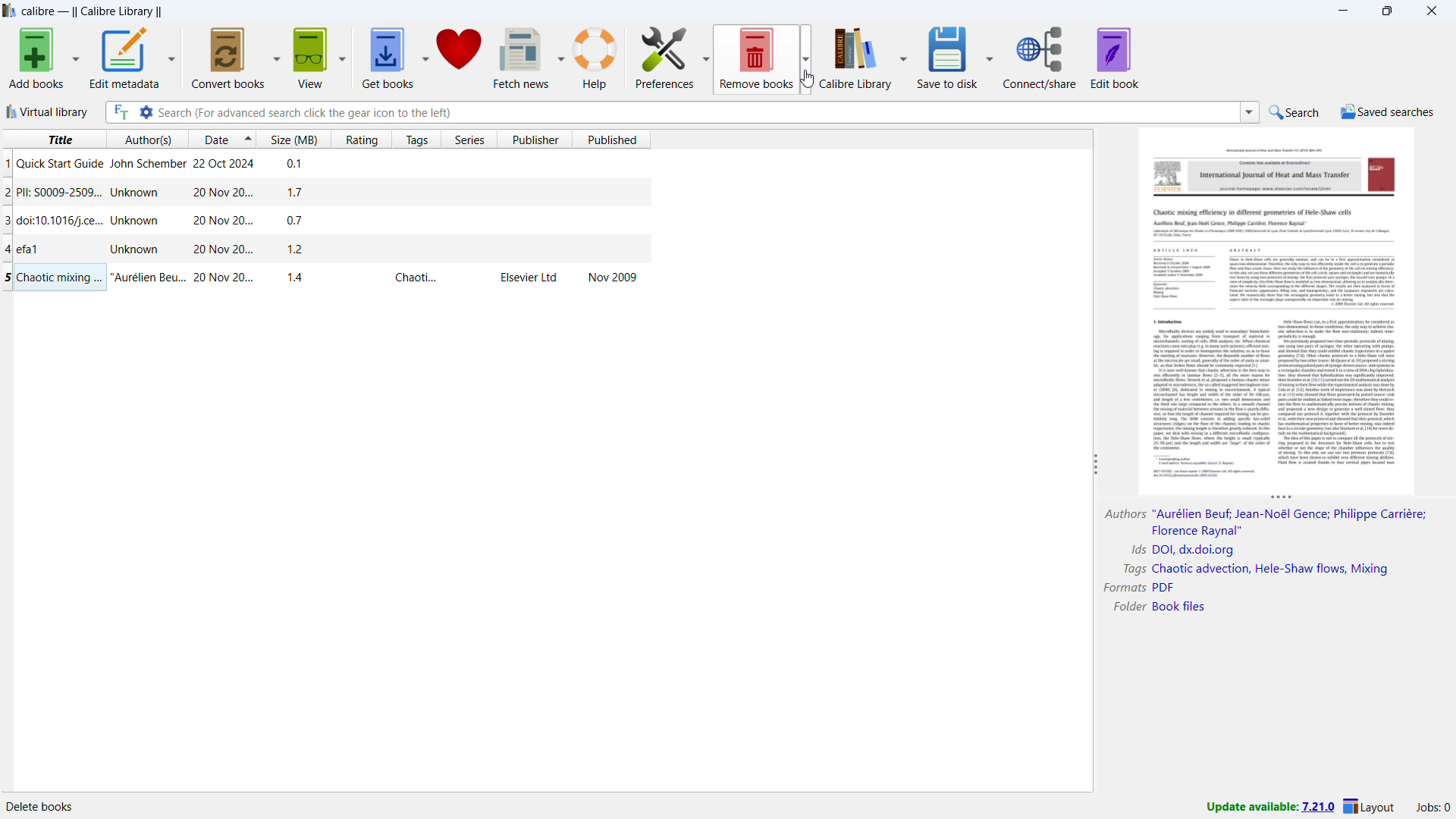 Image resolution: width=1456 pixels, height=819 pixels. Describe the element at coordinates (807, 59) in the screenshot. I see `remove books options` at that location.